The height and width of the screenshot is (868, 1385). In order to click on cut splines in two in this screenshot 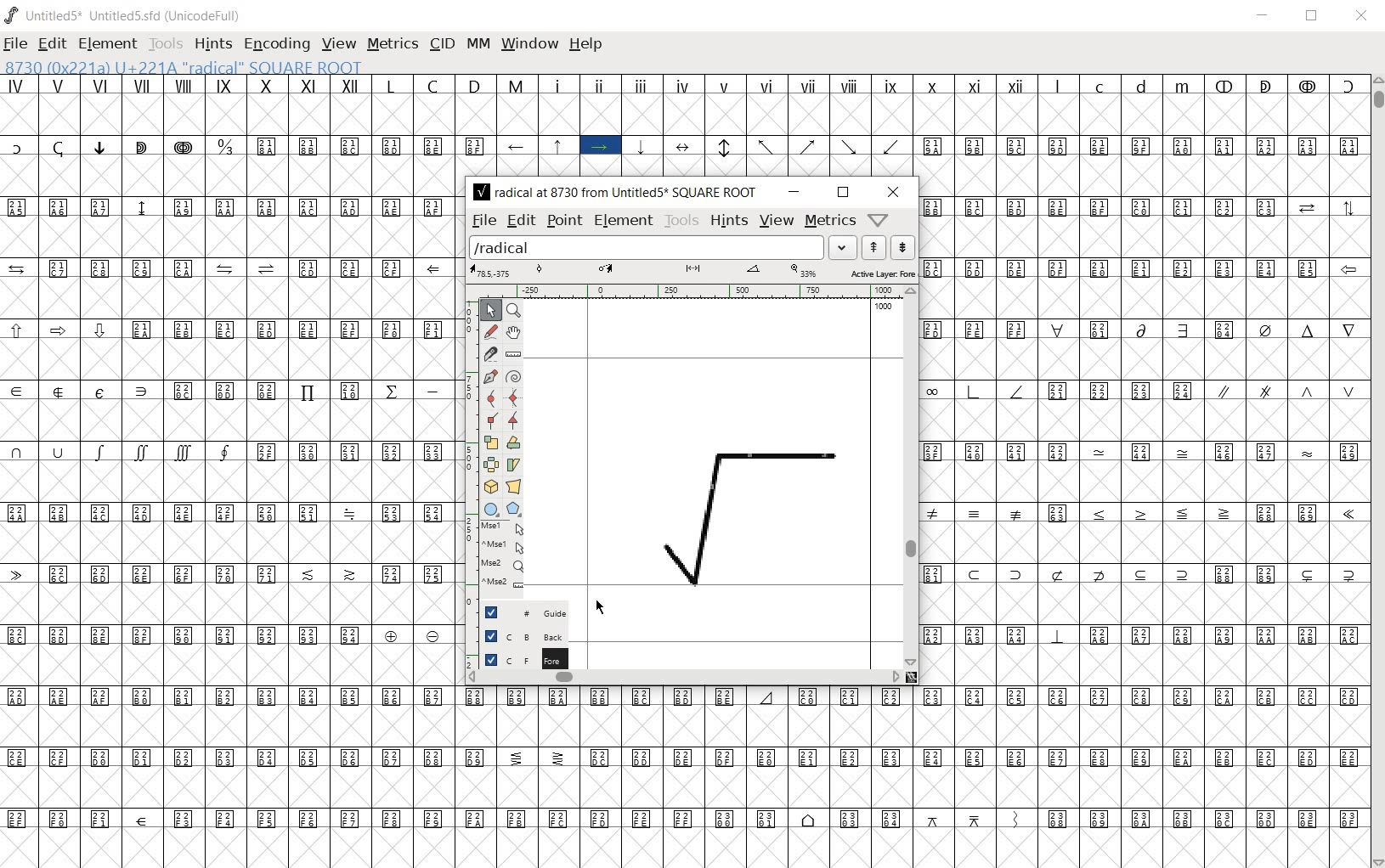, I will do `click(490, 354)`.